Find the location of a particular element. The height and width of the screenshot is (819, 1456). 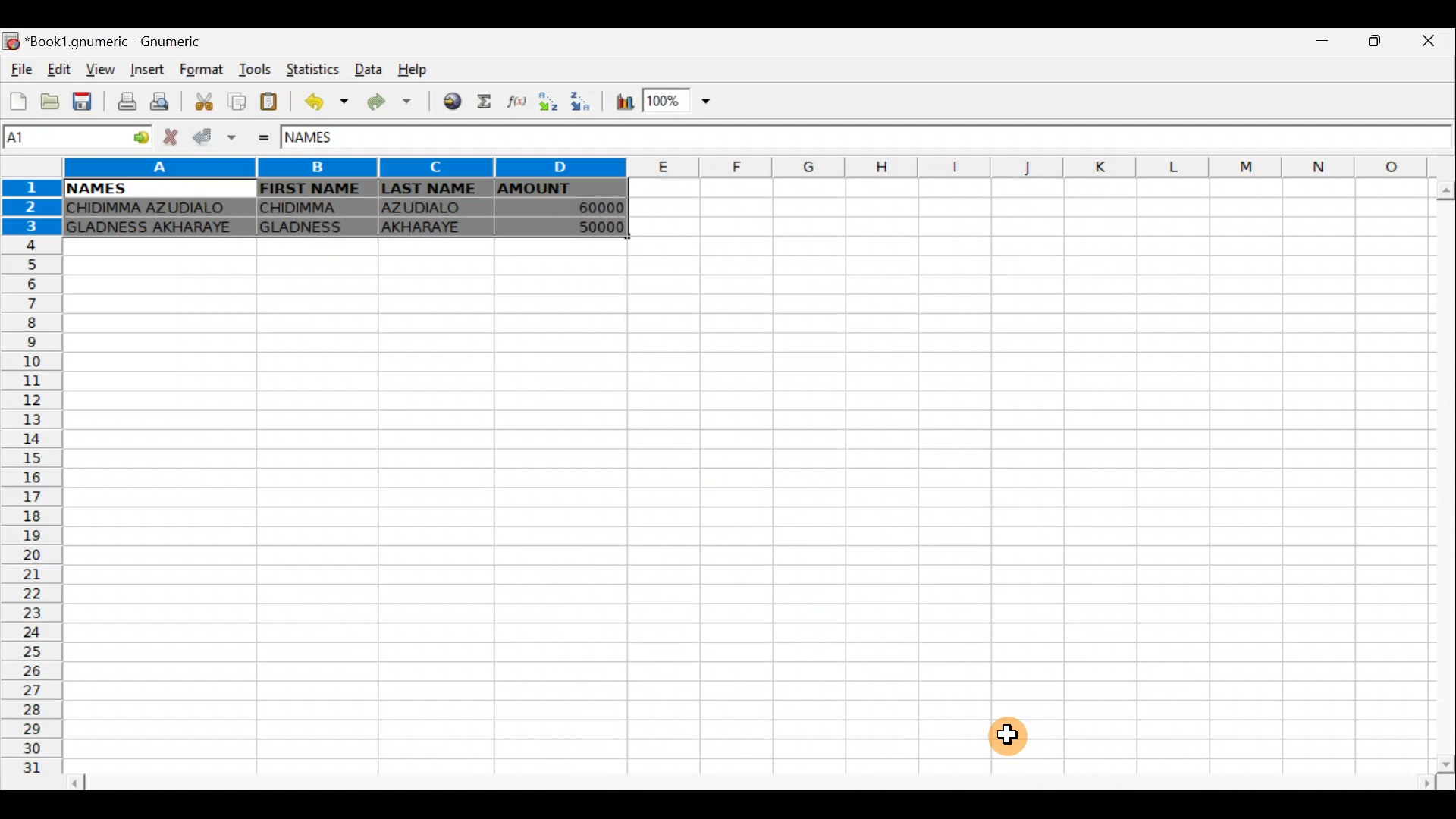

Cancel change is located at coordinates (168, 138).